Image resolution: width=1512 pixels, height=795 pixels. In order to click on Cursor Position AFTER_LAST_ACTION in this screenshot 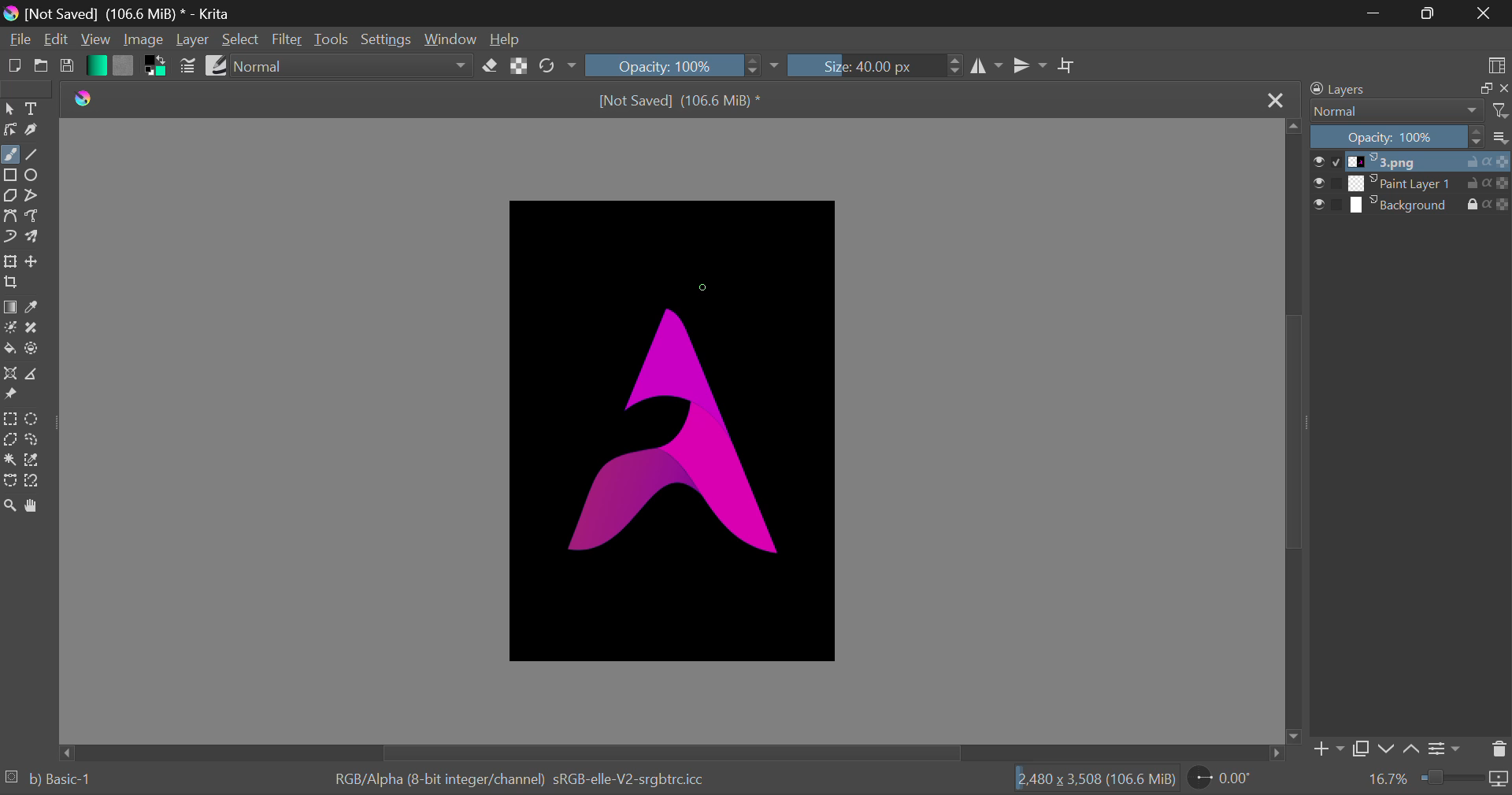, I will do `click(701, 287)`.